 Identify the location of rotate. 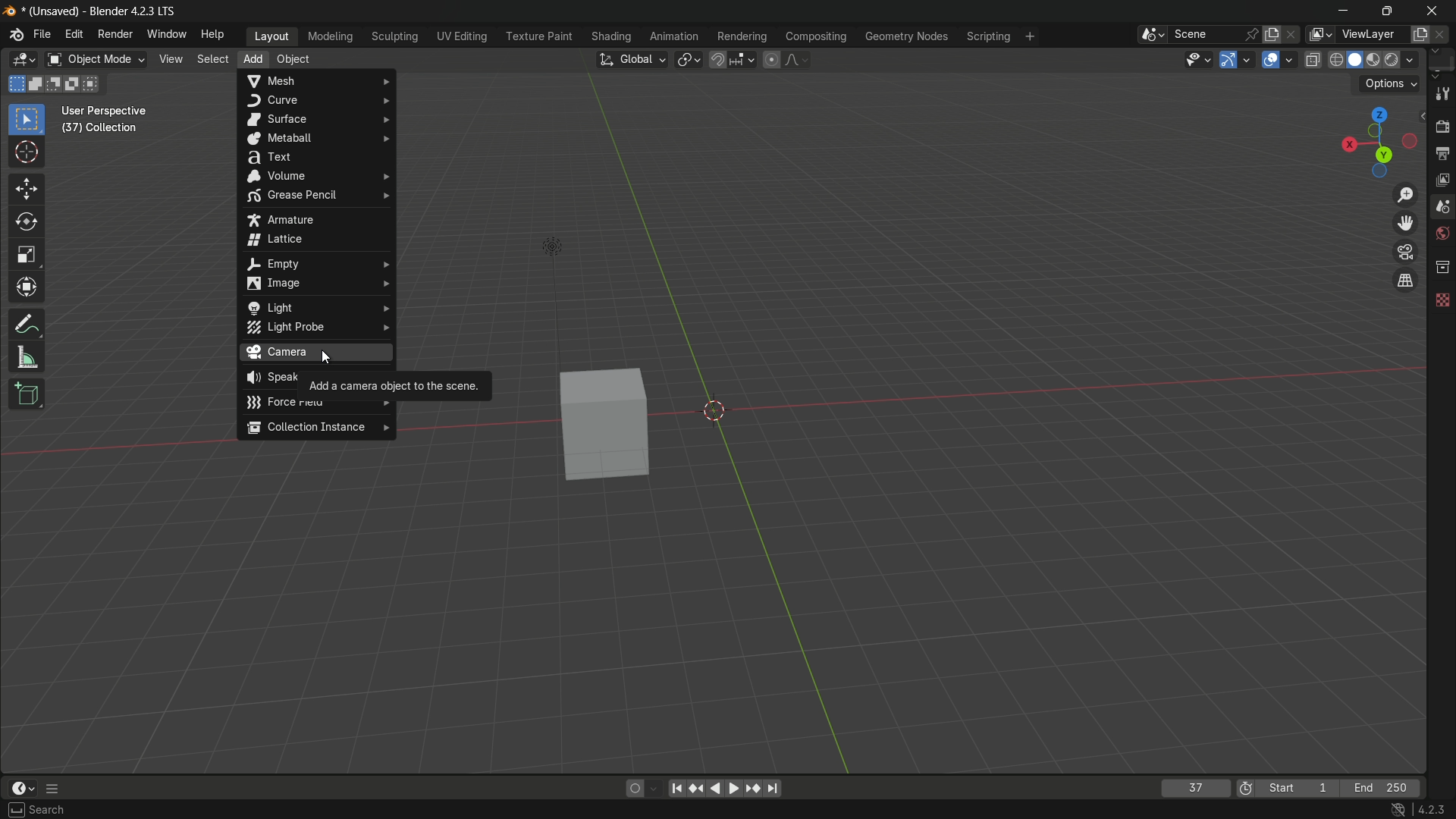
(27, 223).